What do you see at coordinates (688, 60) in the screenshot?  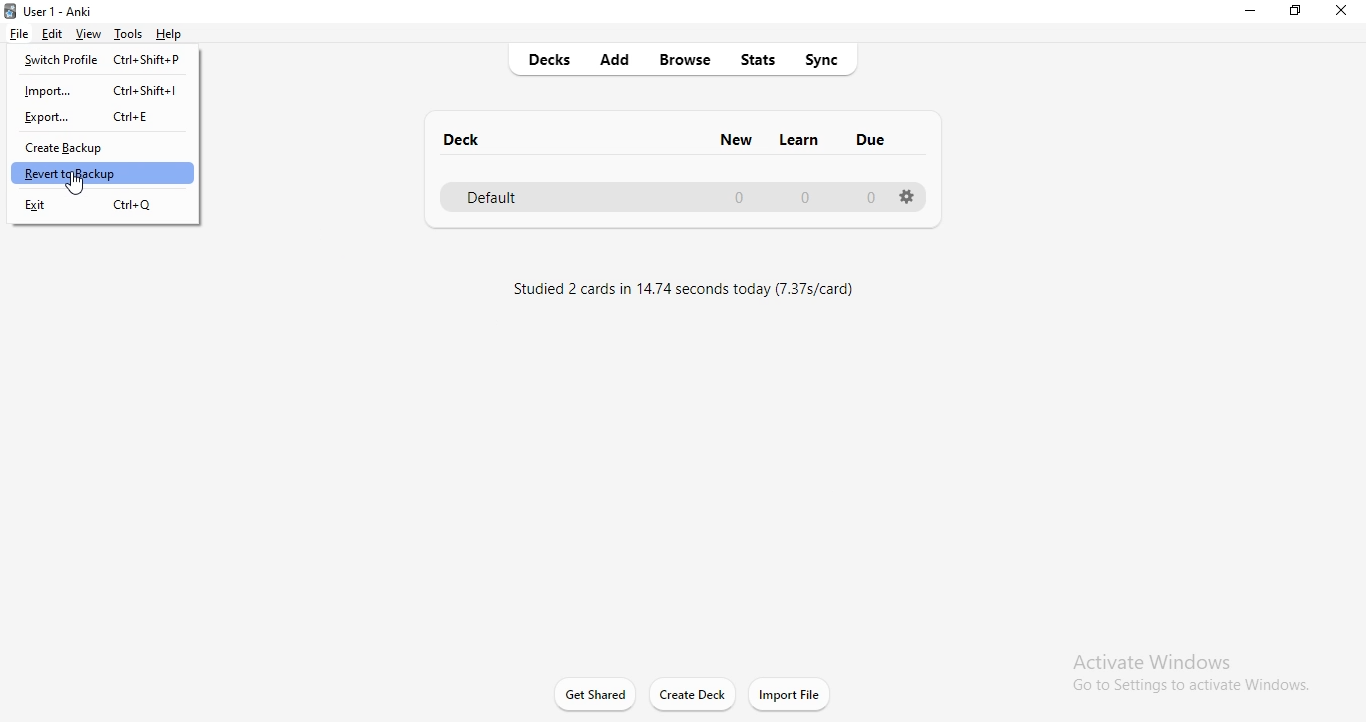 I see `browse` at bounding box center [688, 60].